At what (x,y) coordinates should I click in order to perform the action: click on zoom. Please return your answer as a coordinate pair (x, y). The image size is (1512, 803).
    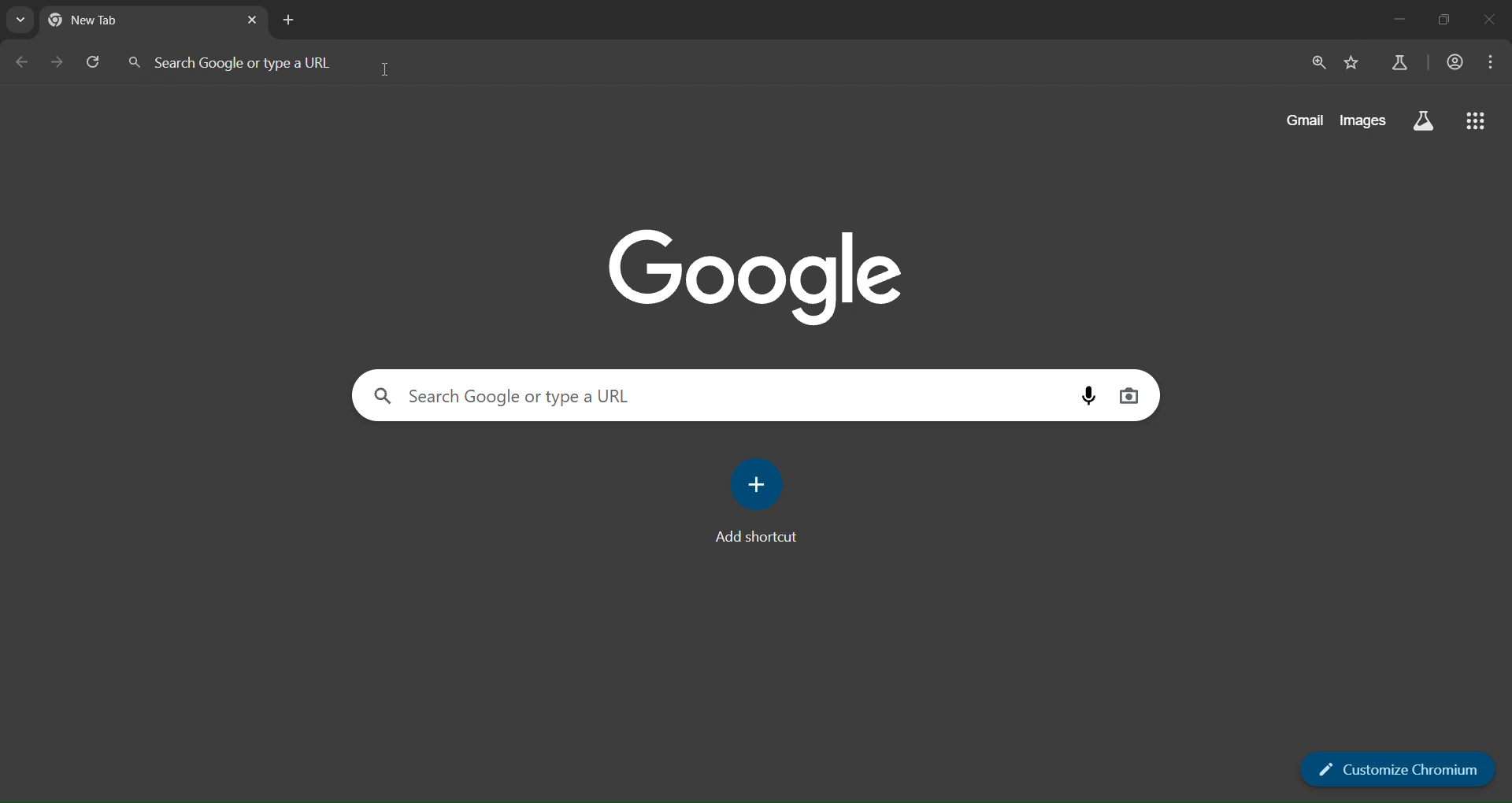
    Looking at the image, I should click on (1316, 65).